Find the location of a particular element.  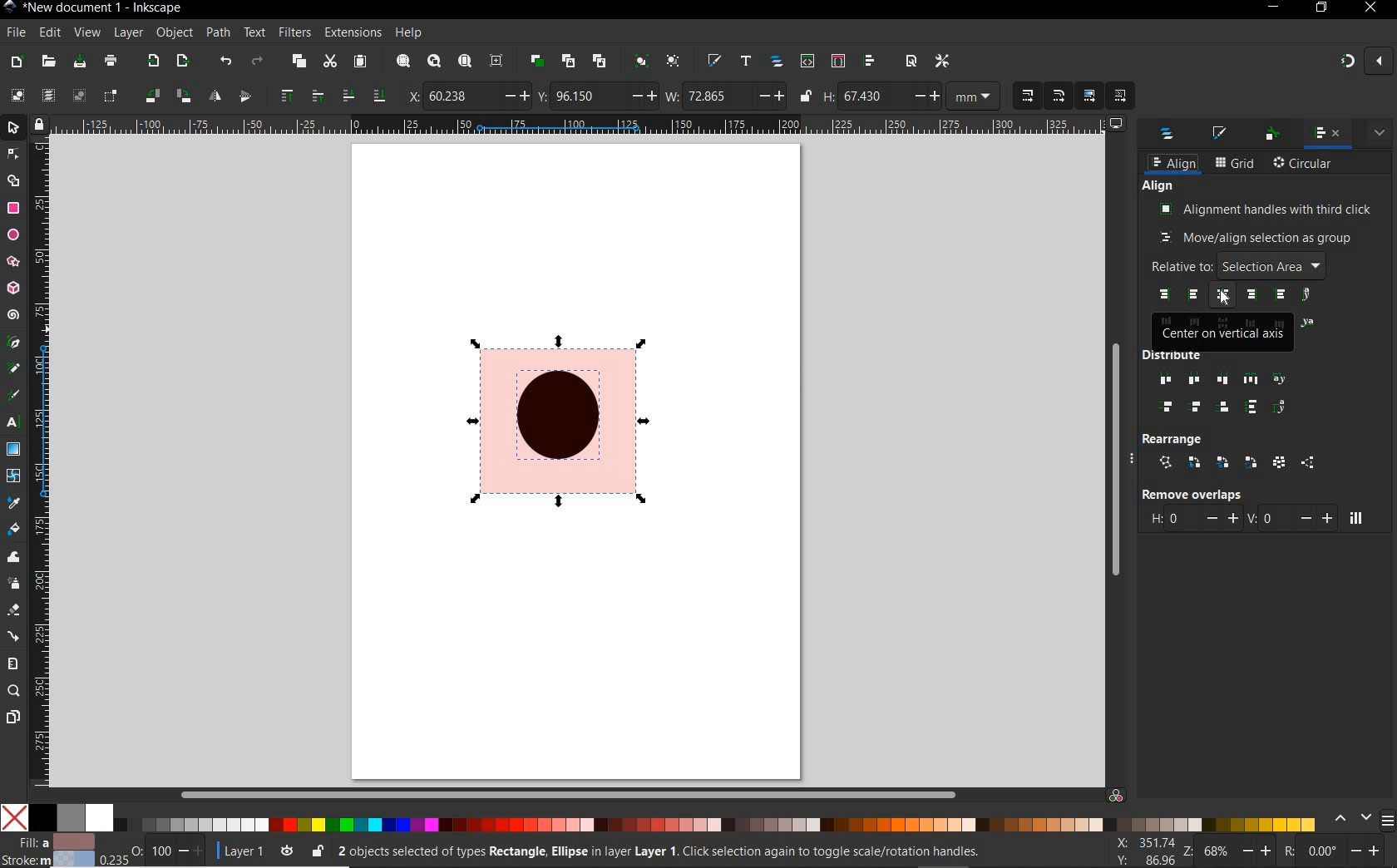

close is located at coordinates (1369, 8).